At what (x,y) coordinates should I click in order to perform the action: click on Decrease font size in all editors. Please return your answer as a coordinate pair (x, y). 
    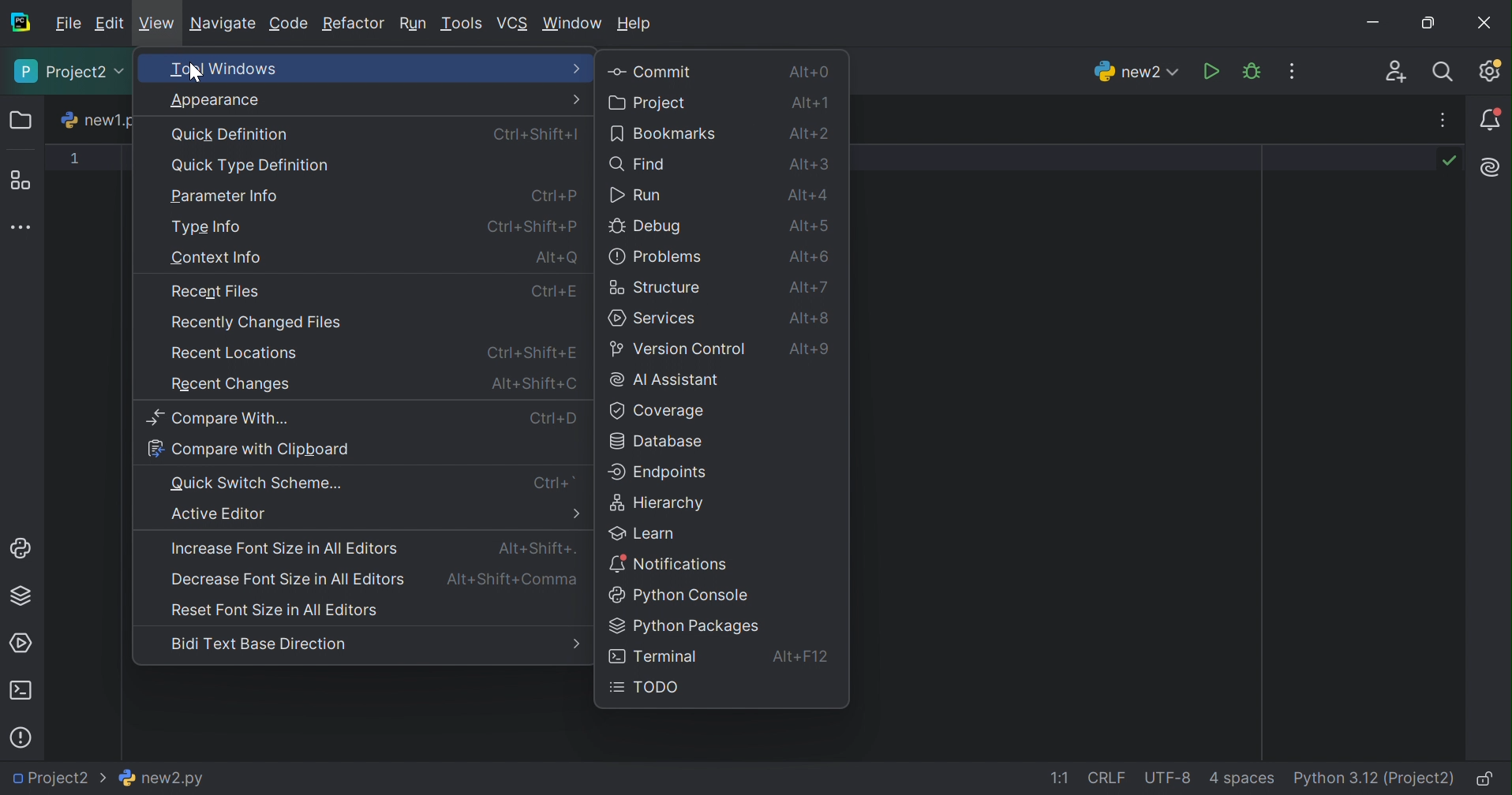
    Looking at the image, I should click on (288, 579).